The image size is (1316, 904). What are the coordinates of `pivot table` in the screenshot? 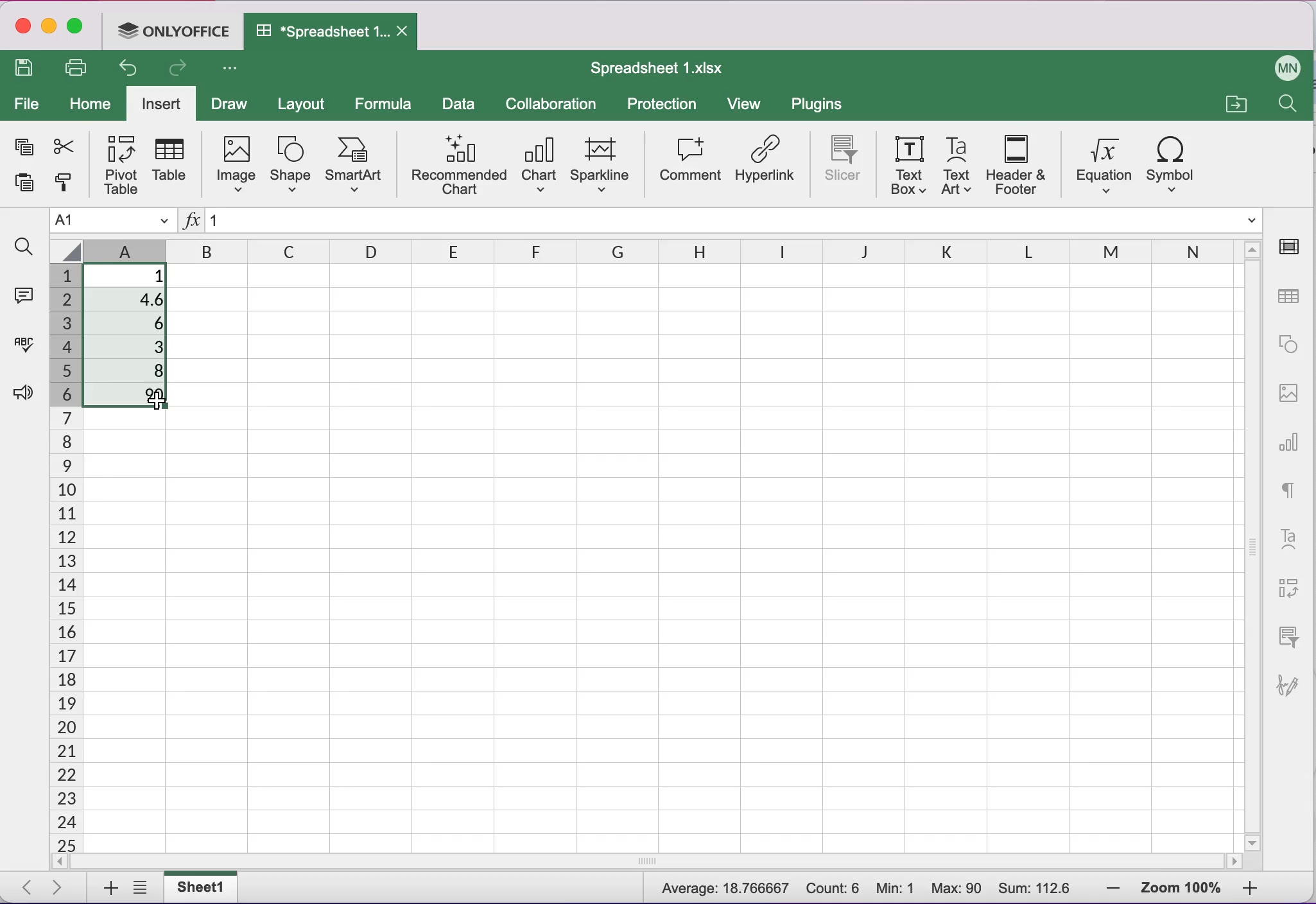 It's located at (1290, 592).